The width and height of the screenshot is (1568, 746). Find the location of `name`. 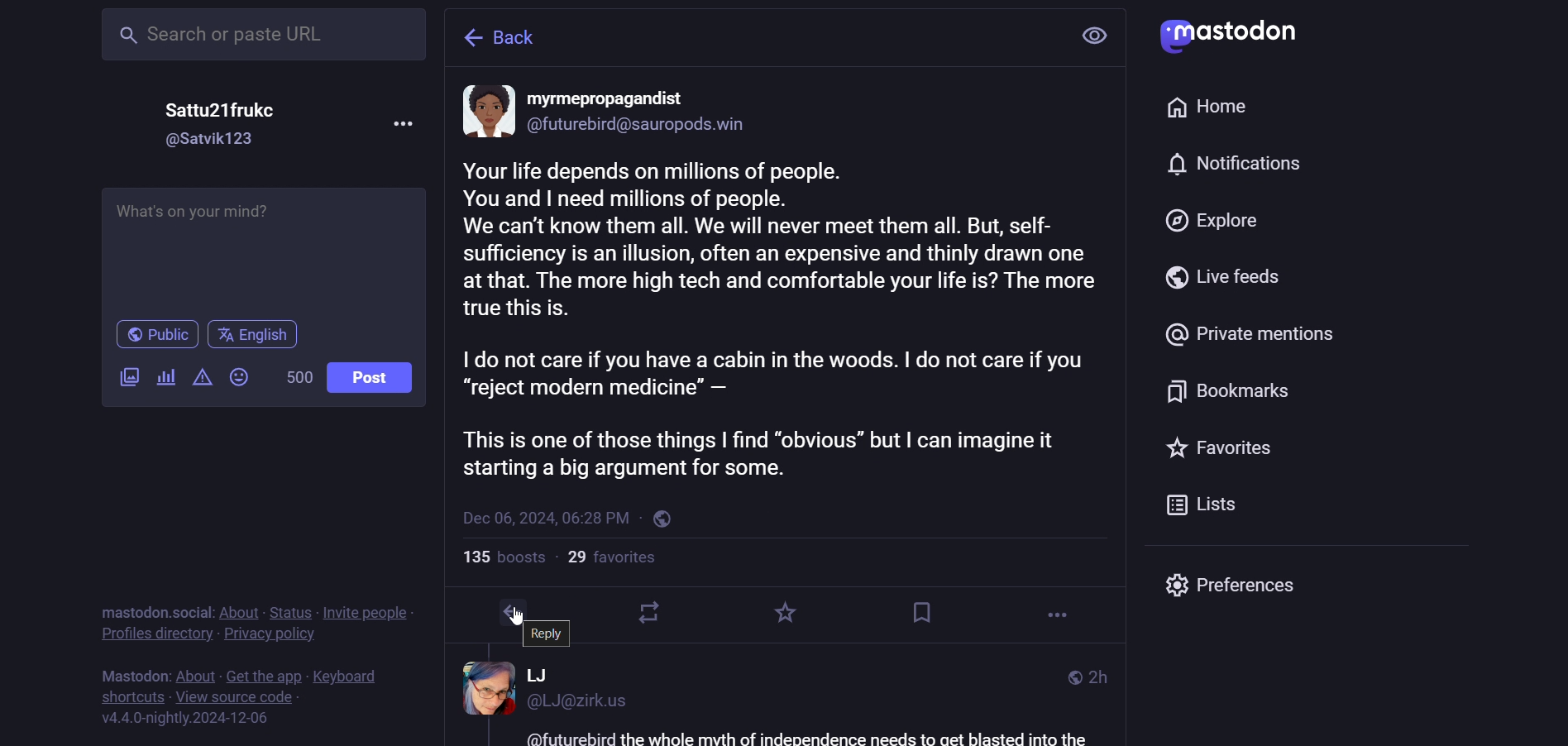

name is located at coordinates (222, 106).